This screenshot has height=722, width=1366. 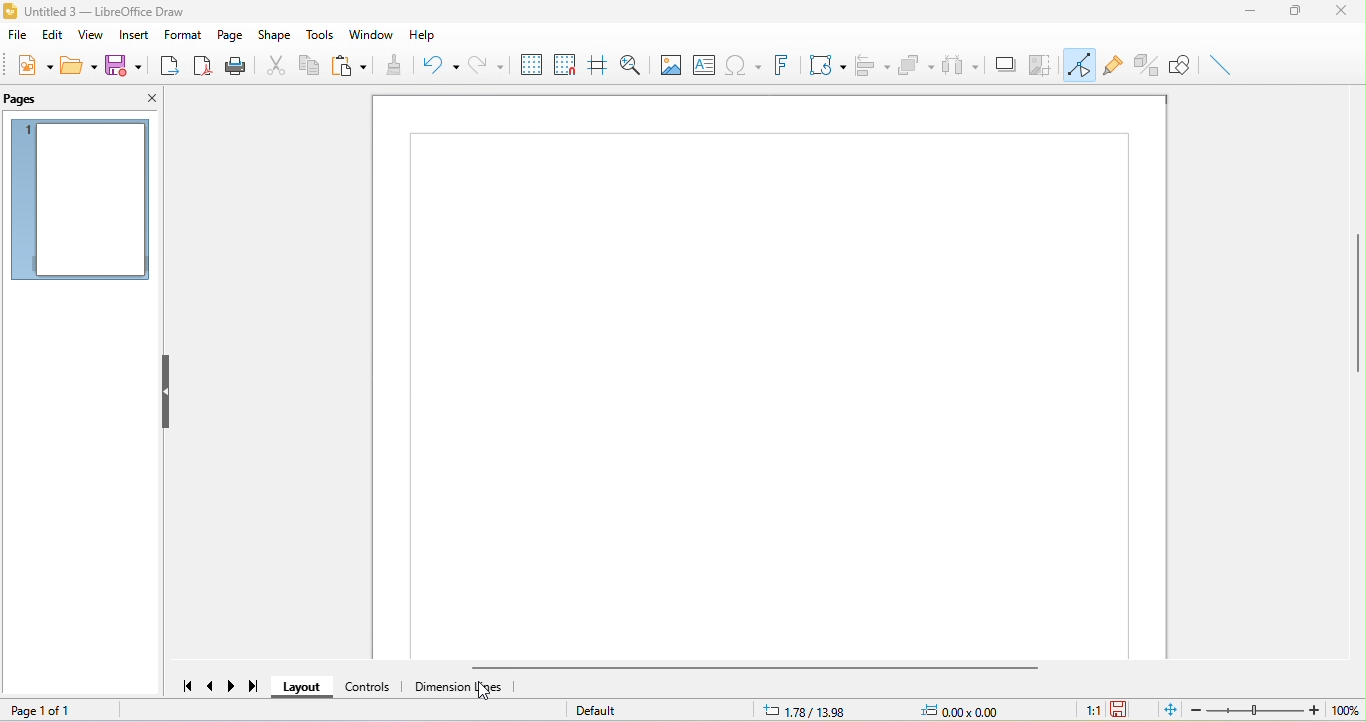 What do you see at coordinates (33, 69) in the screenshot?
I see `new` at bounding box center [33, 69].